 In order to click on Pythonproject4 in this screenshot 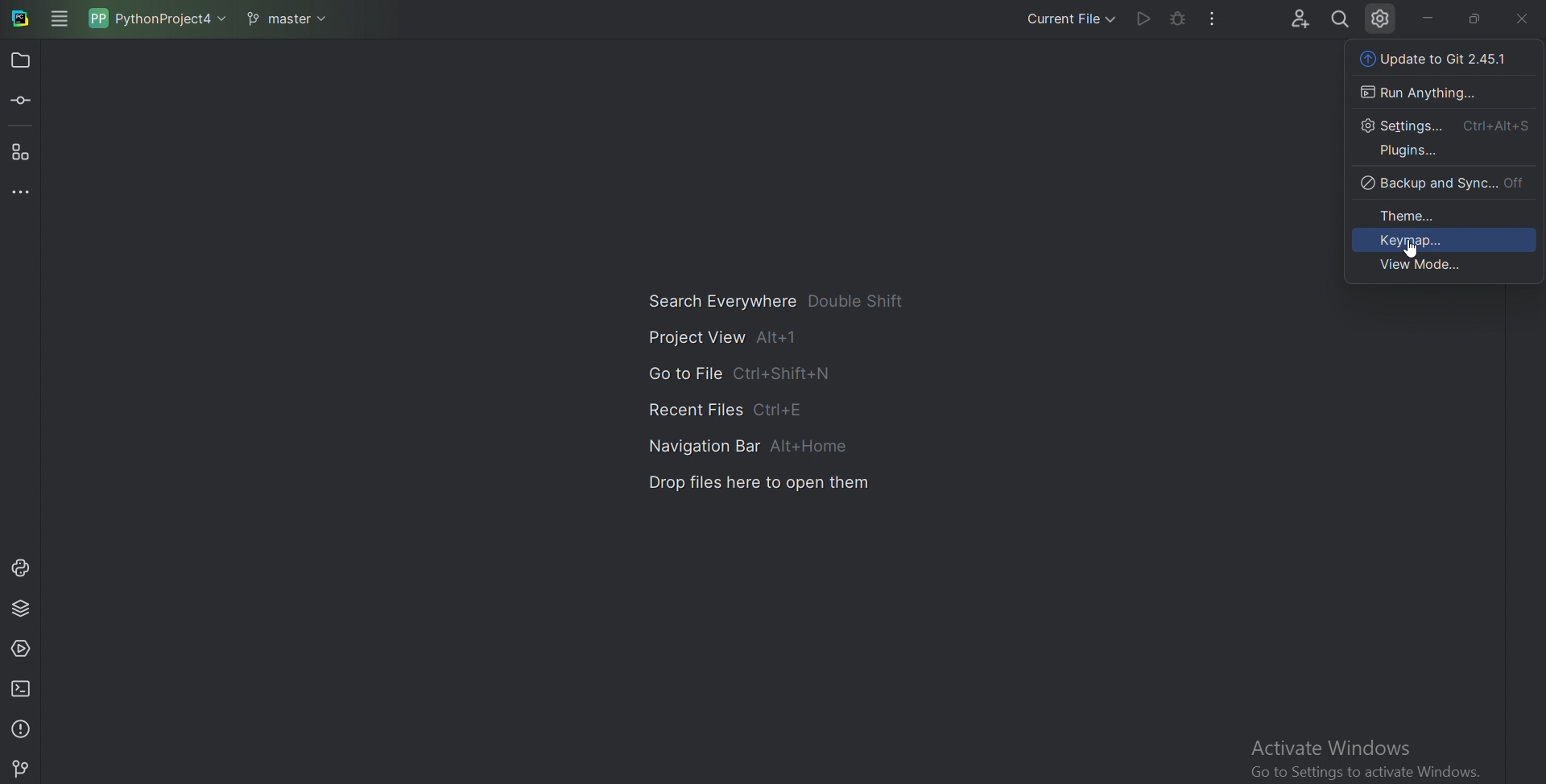, I will do `click(156, 18)`.